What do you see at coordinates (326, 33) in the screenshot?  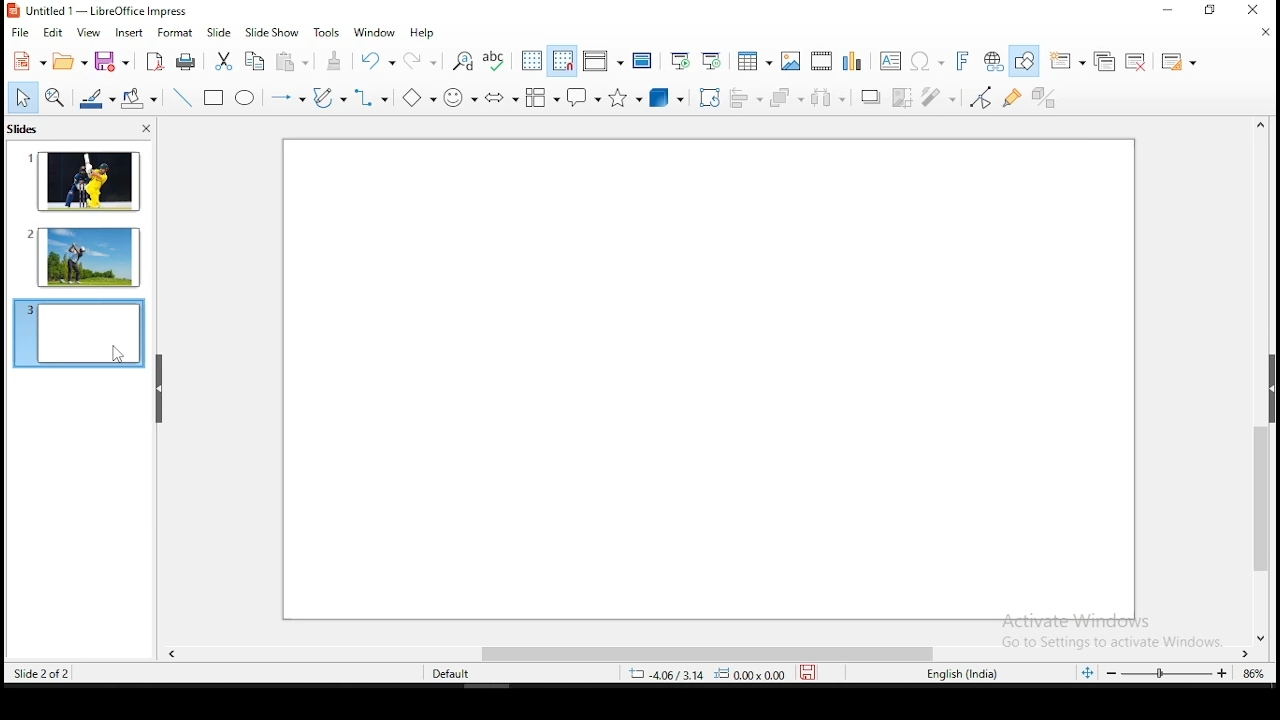 I see `tools` at bounding box center [326, 33].